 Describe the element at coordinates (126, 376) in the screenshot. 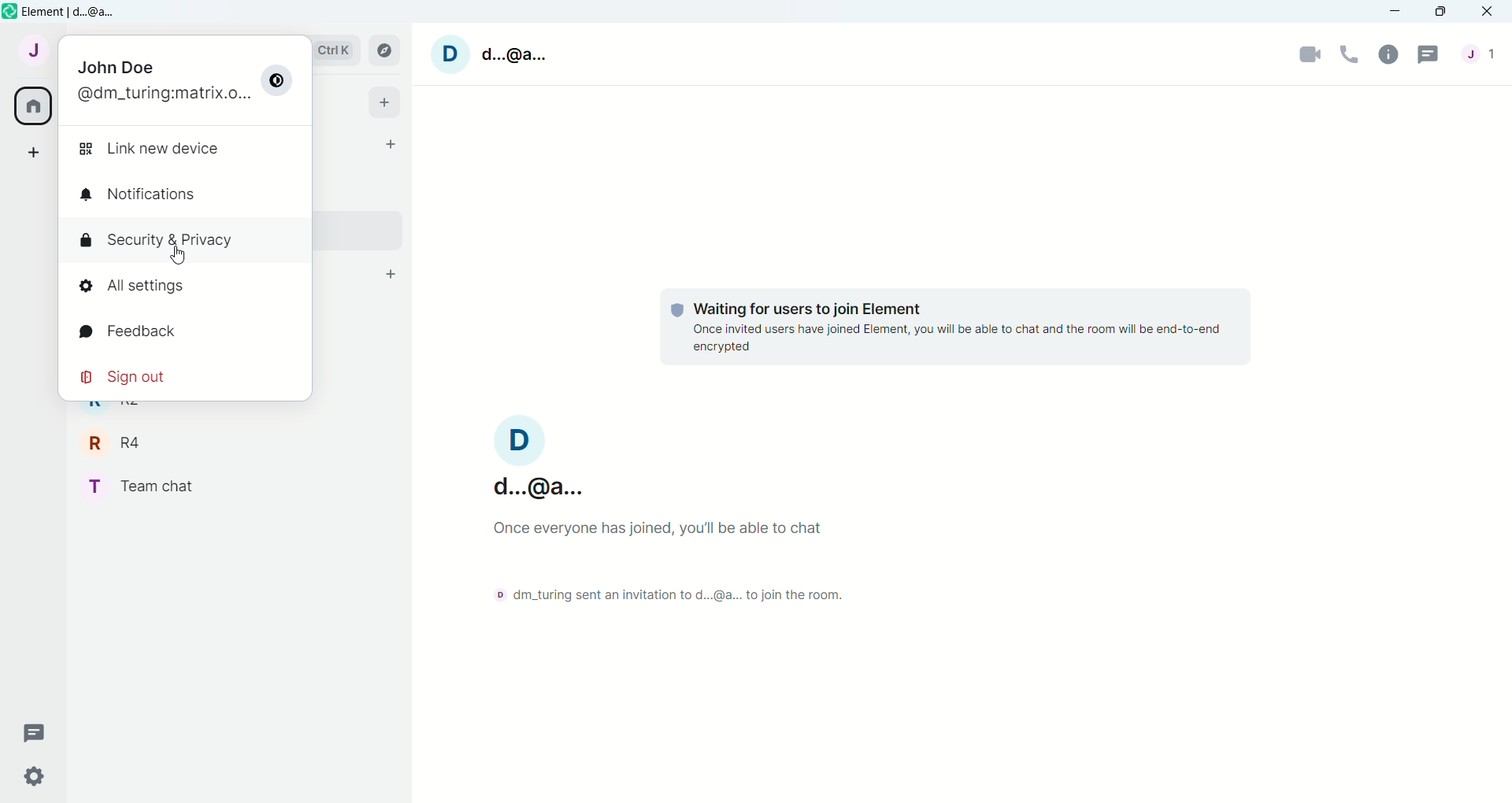

I see `Sign out` at that location.